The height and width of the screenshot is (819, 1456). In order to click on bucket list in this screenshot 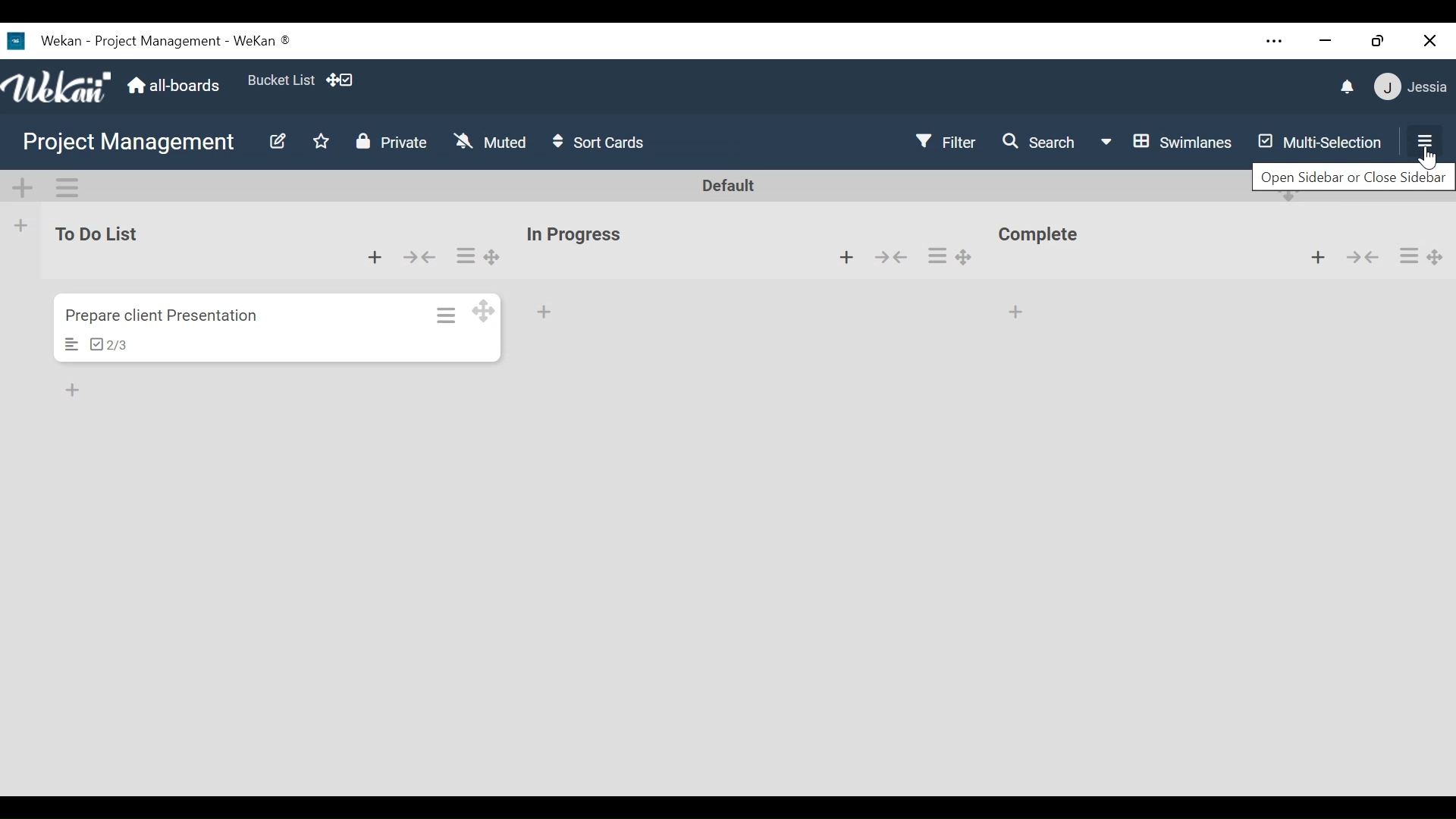, I will do `click(279, 79)`.